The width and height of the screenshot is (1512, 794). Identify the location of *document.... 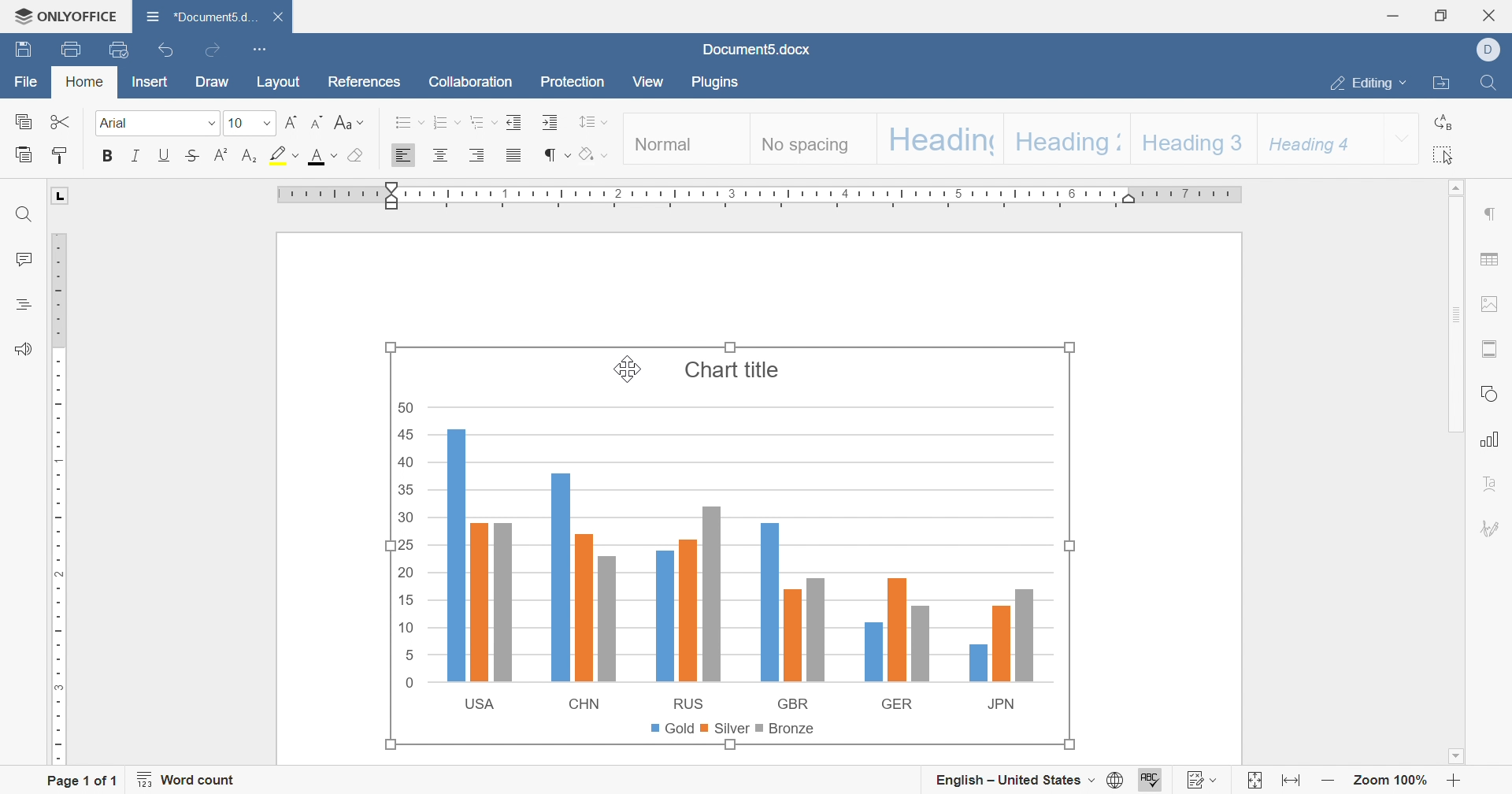
(198, 16).